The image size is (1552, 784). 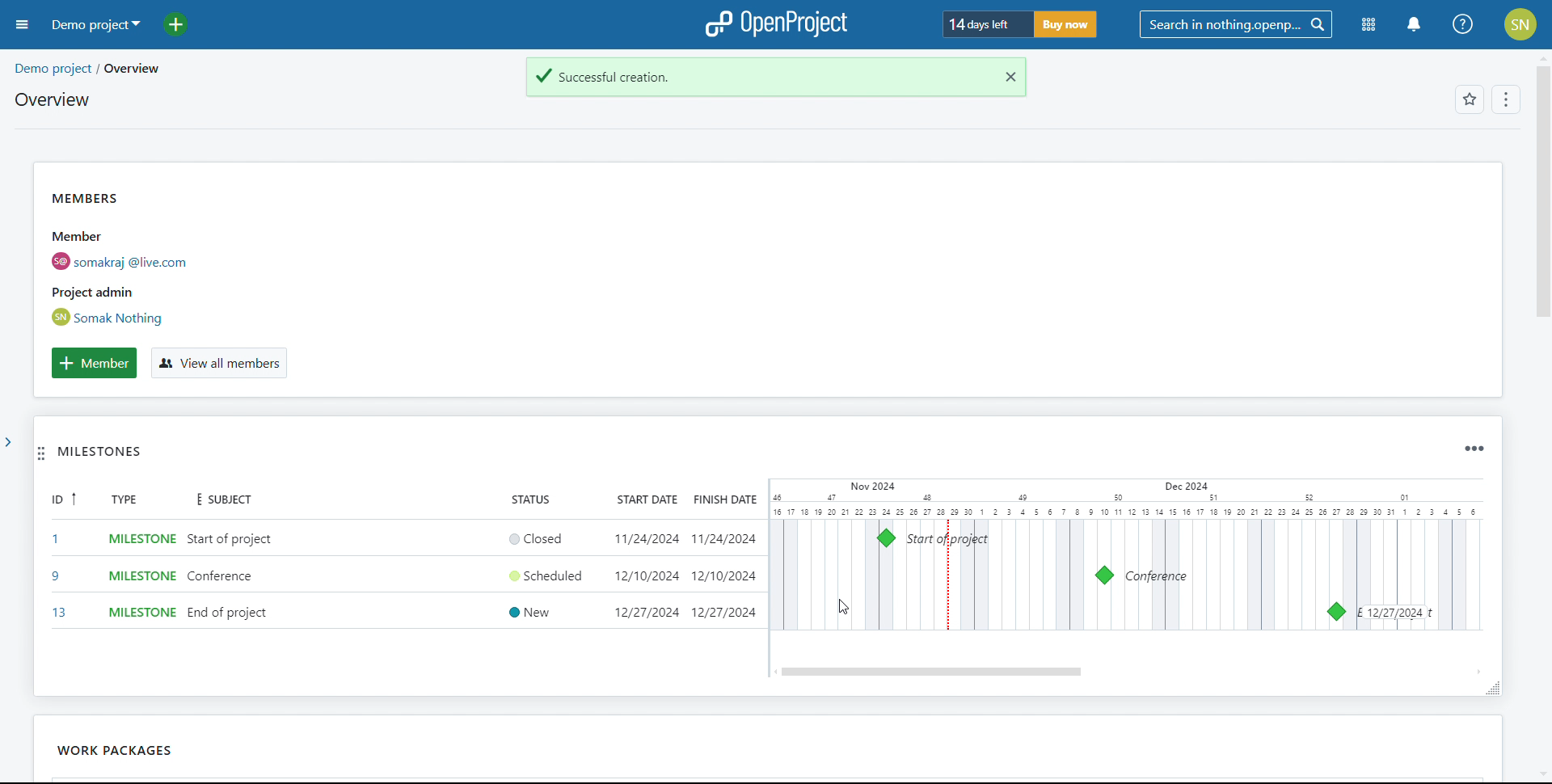 What do you see at coordinates (1488, 687) in the screenshot?
I see `resize widget` at bounding box center [1488, 687].